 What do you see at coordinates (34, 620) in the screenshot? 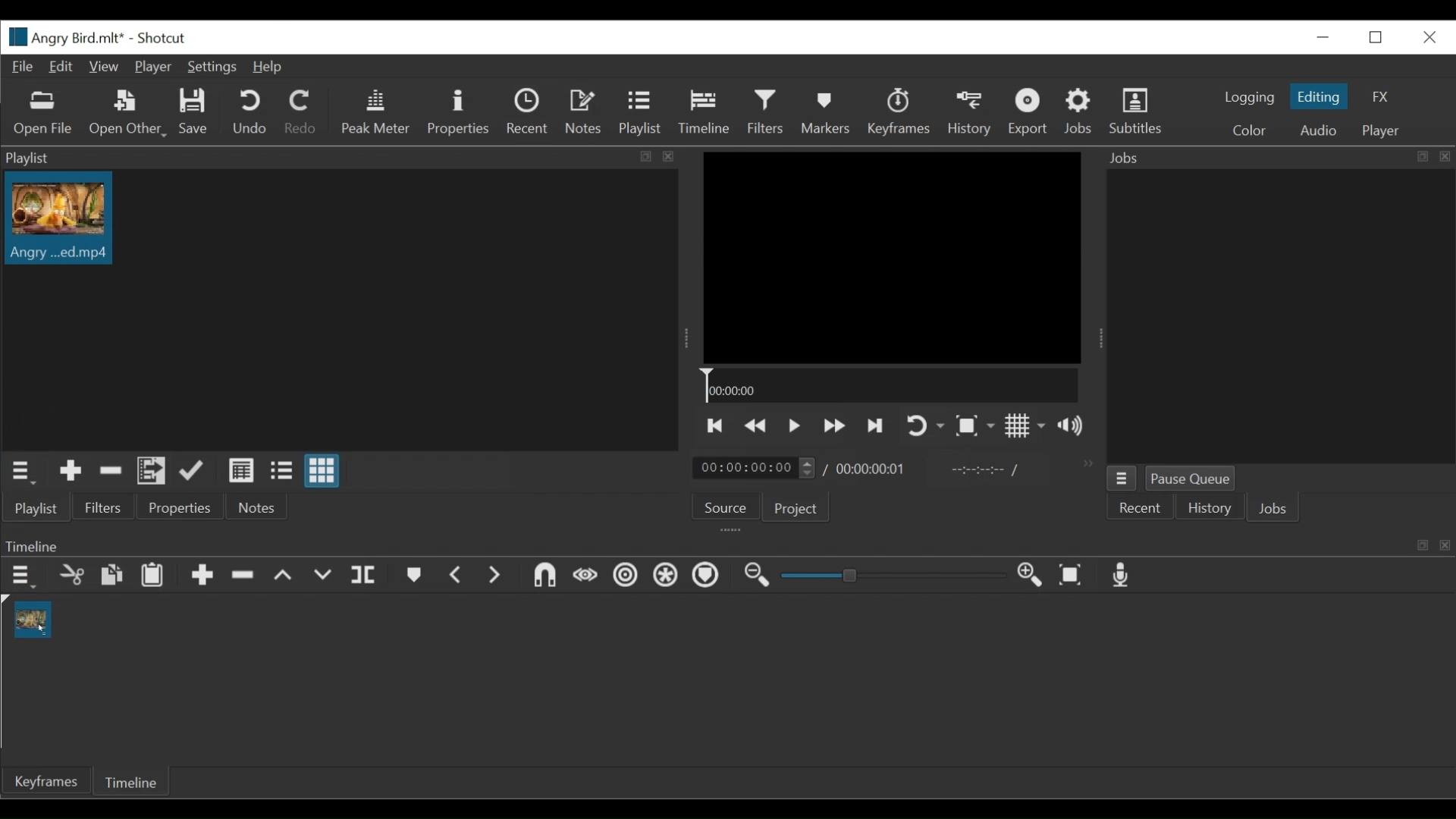
I see `Clip` at bounding box center [34, 620].